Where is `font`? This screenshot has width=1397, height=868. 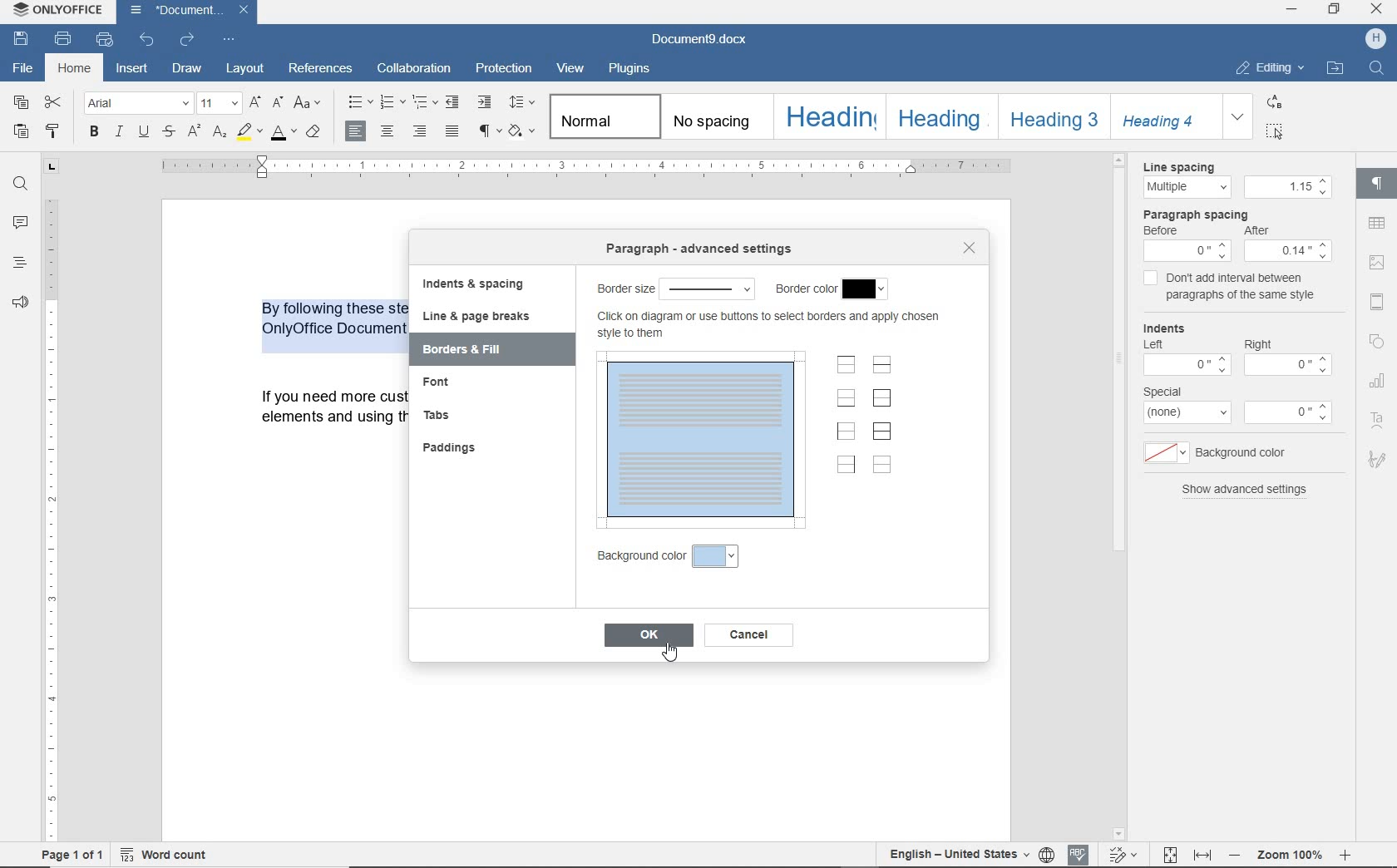 font is located at coordinates (446, 386).